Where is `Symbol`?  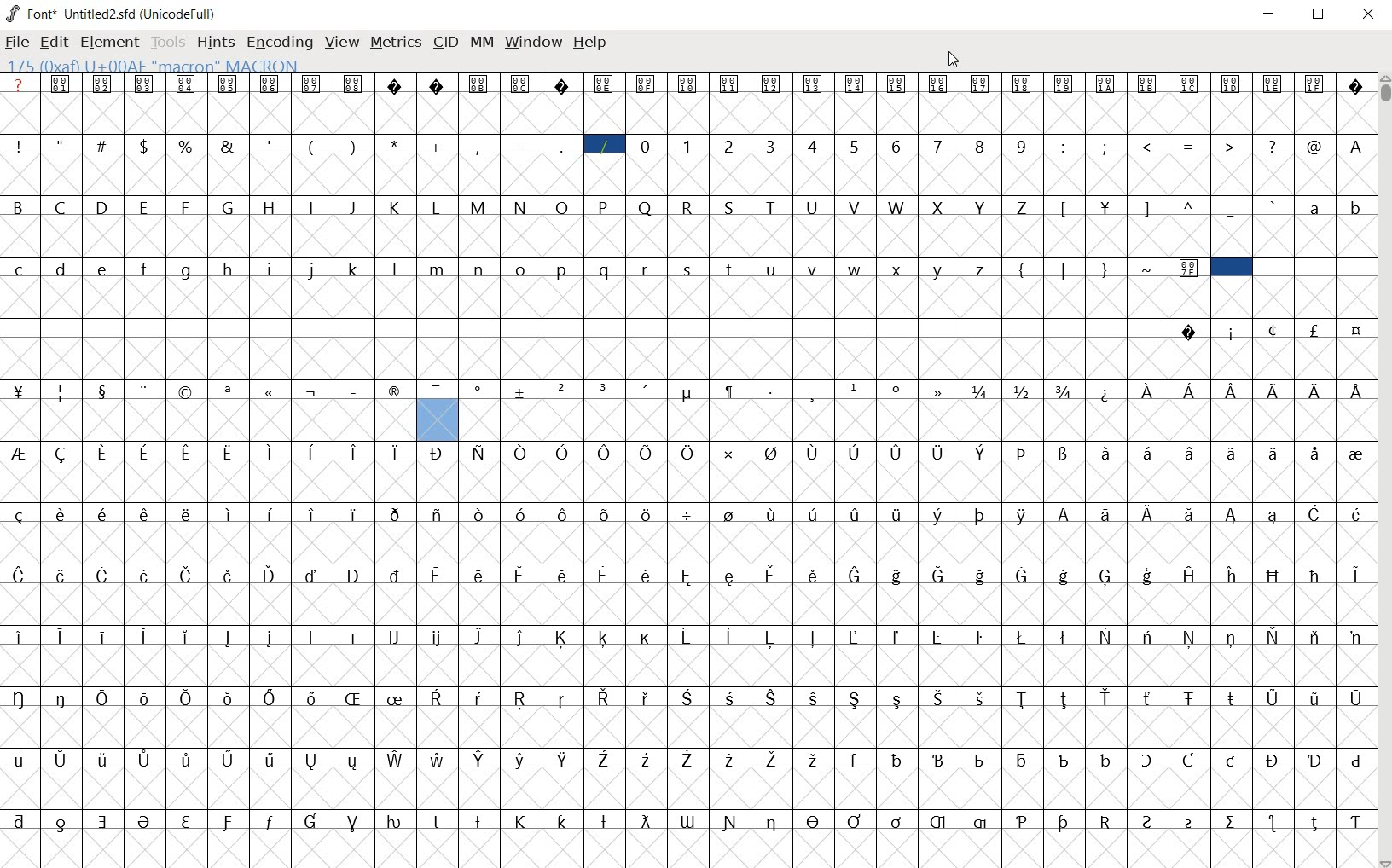
Symbol is located at coordinates (731, 758).